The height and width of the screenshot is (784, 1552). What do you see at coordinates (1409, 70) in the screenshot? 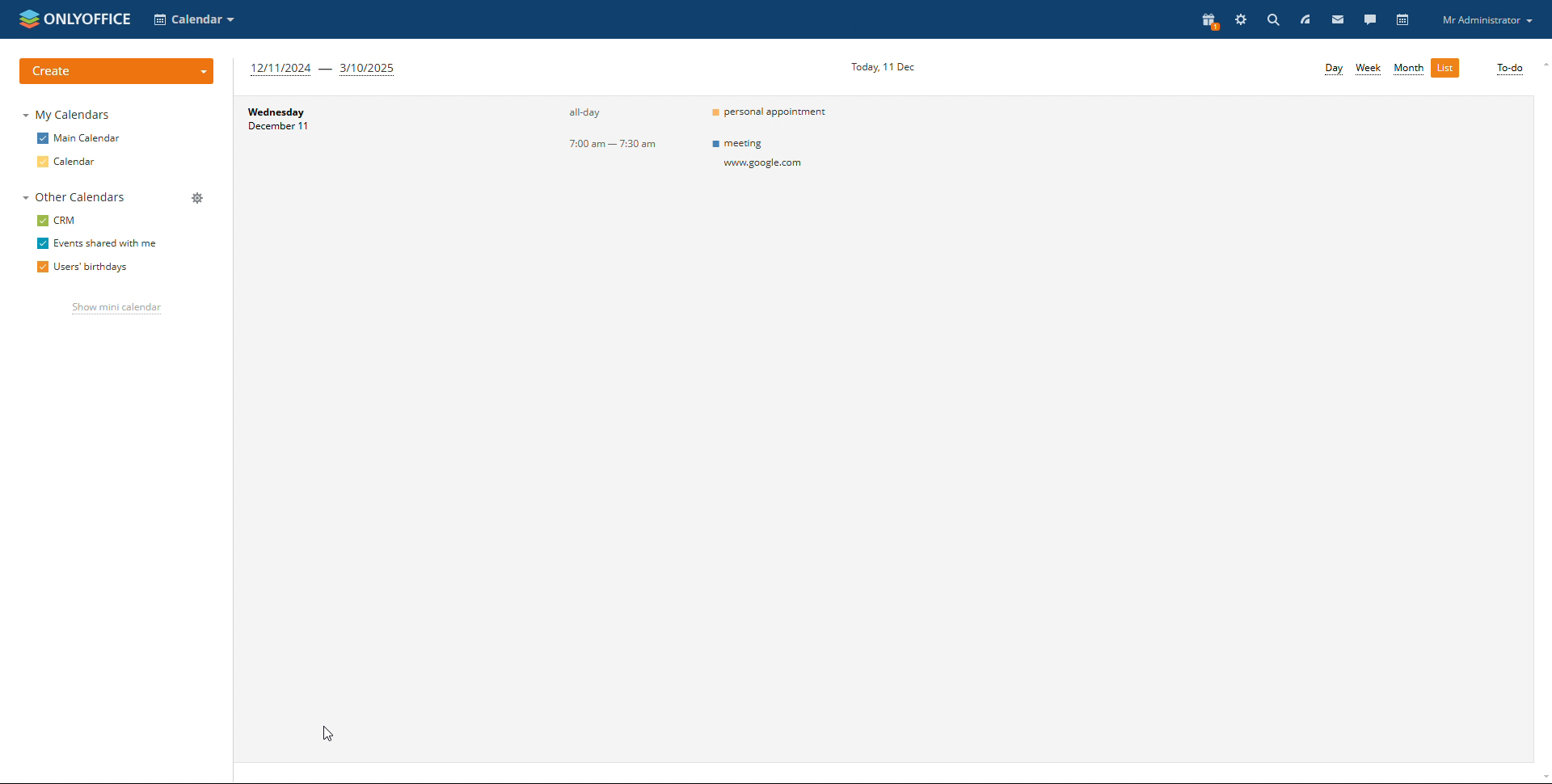
I see `month view` at bounding box center [1409, 70].